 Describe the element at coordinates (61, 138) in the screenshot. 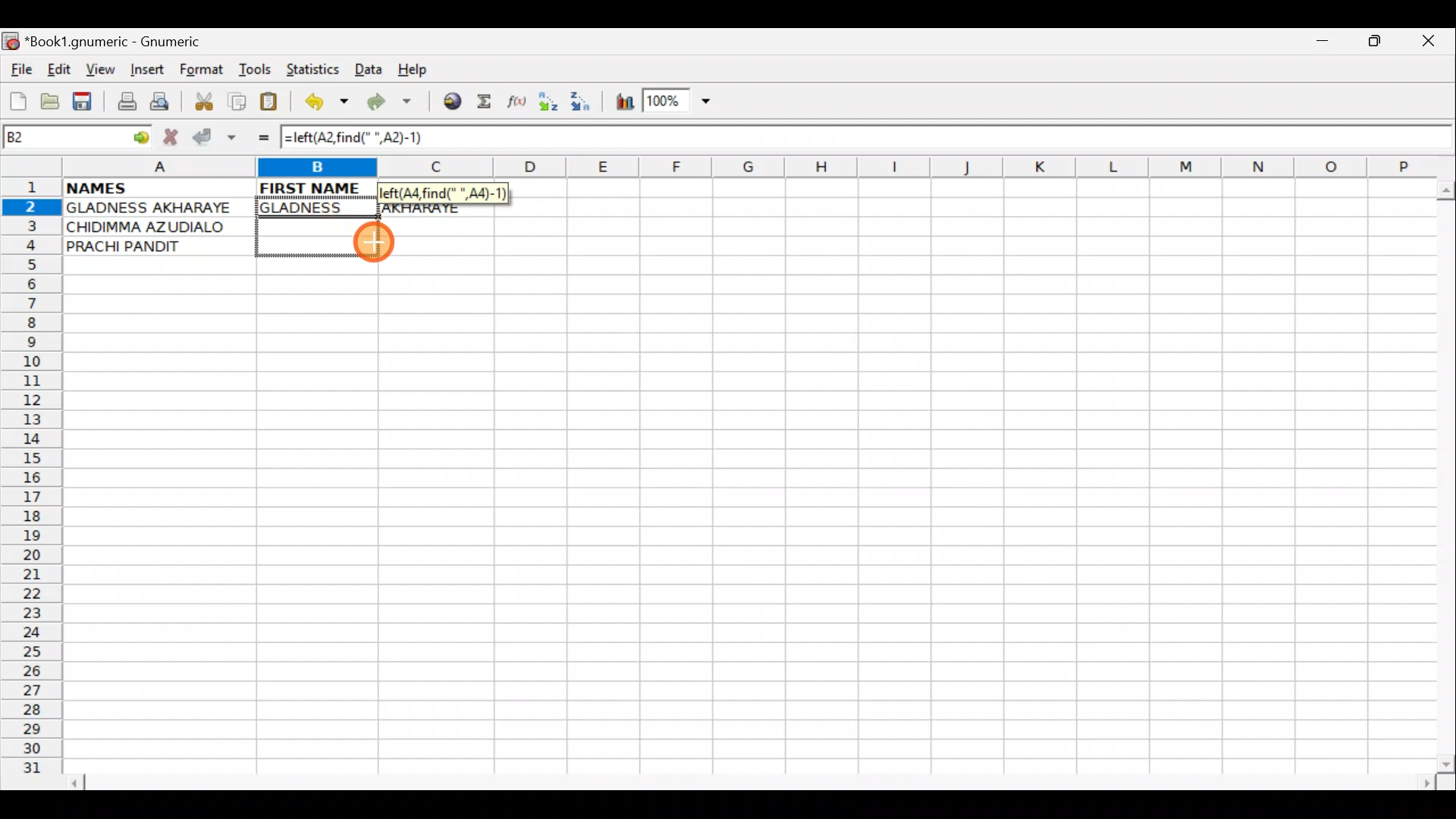

I see `Cell name B2` at that location.